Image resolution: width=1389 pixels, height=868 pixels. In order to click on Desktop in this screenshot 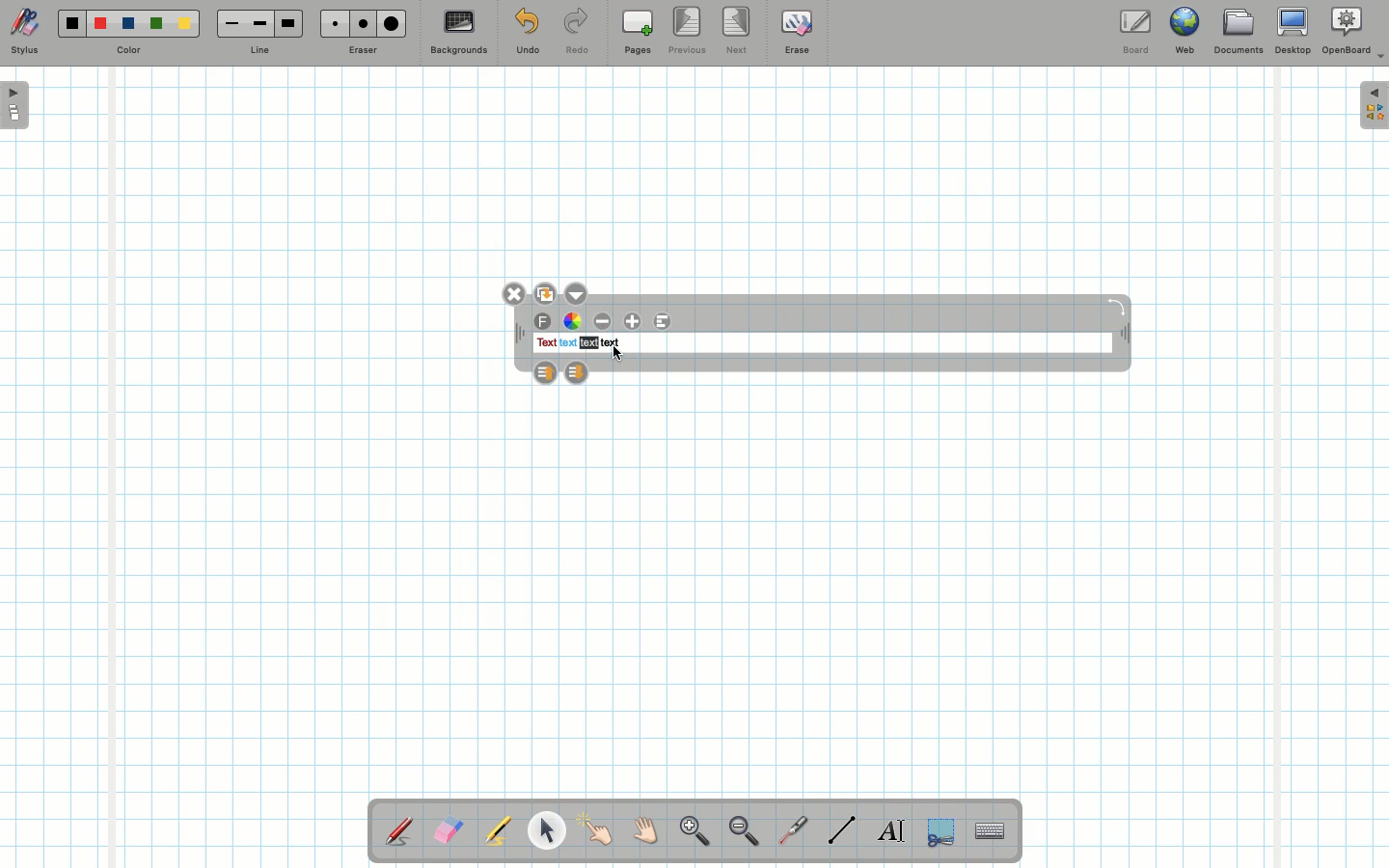, I will do `click(1295, 31)`.